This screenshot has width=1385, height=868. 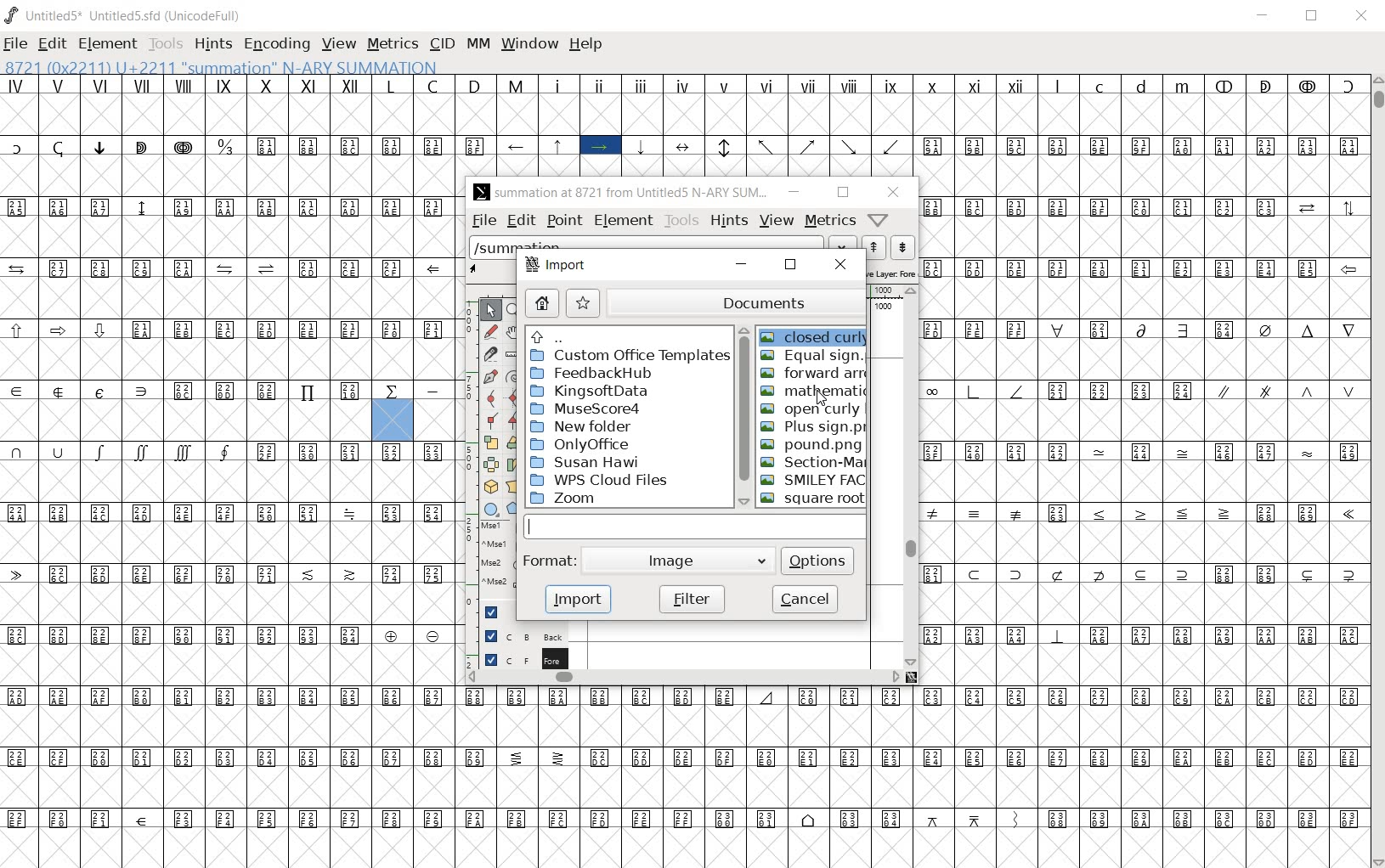 I want to click on Help/Window, so click(x=881, y=219).